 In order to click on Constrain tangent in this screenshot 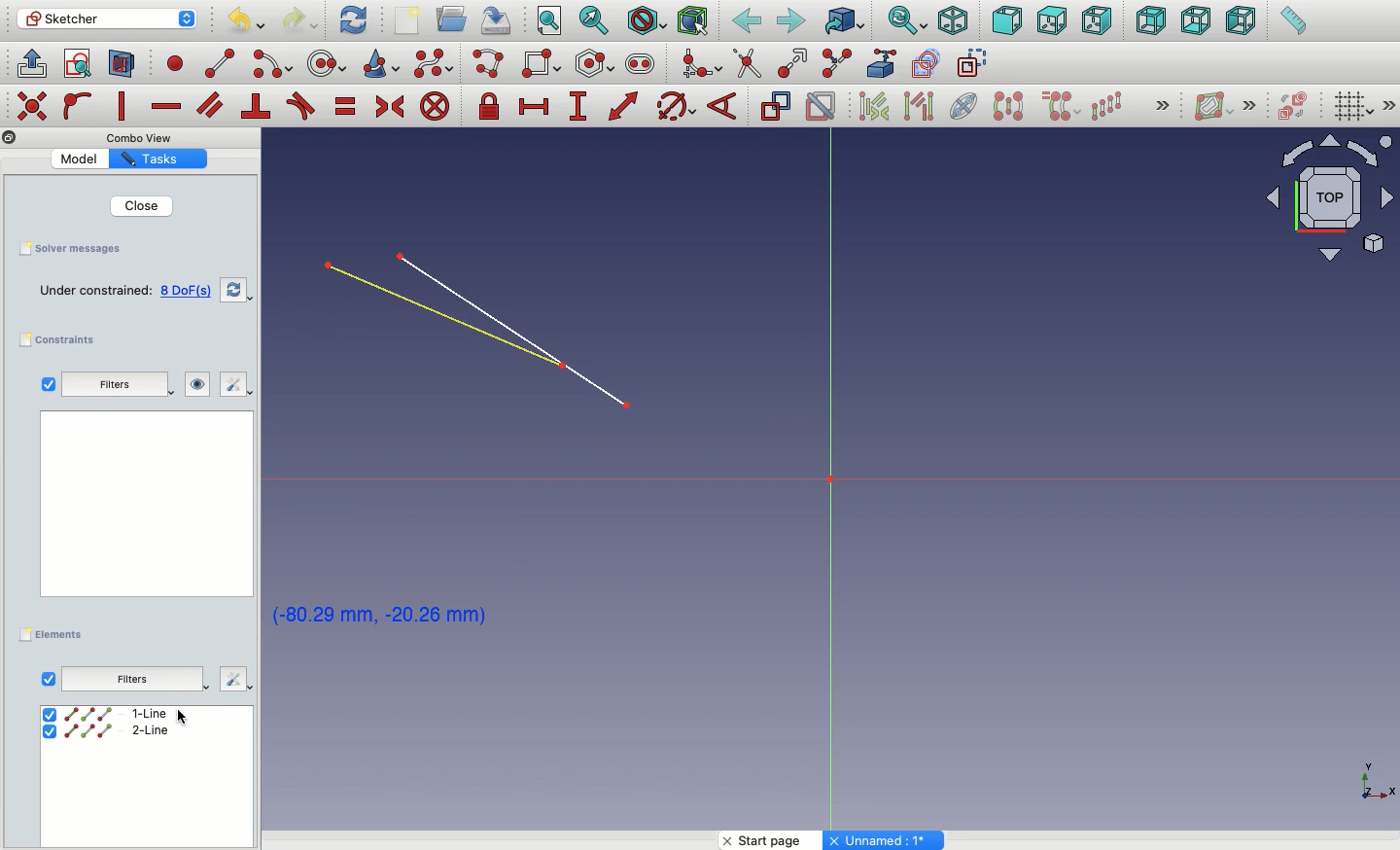, I will do `click(301, 106)`.